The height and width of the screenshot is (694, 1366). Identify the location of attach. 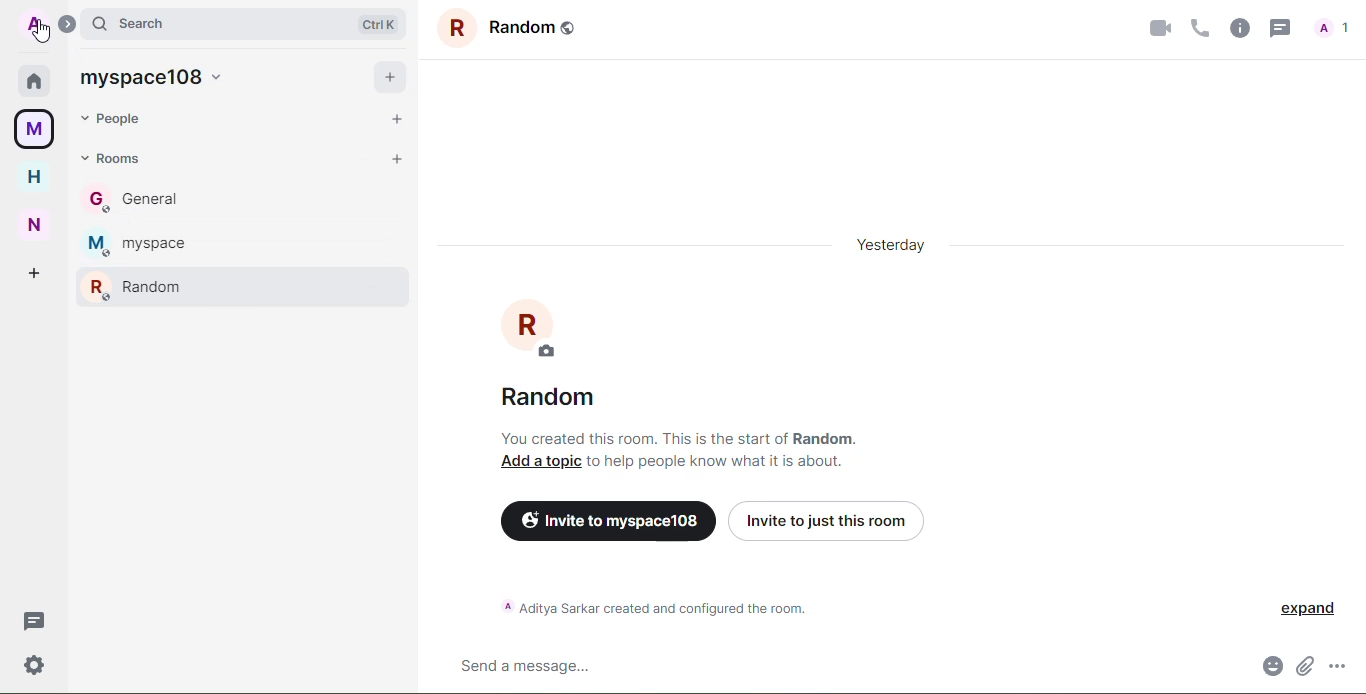
(1306, 662).